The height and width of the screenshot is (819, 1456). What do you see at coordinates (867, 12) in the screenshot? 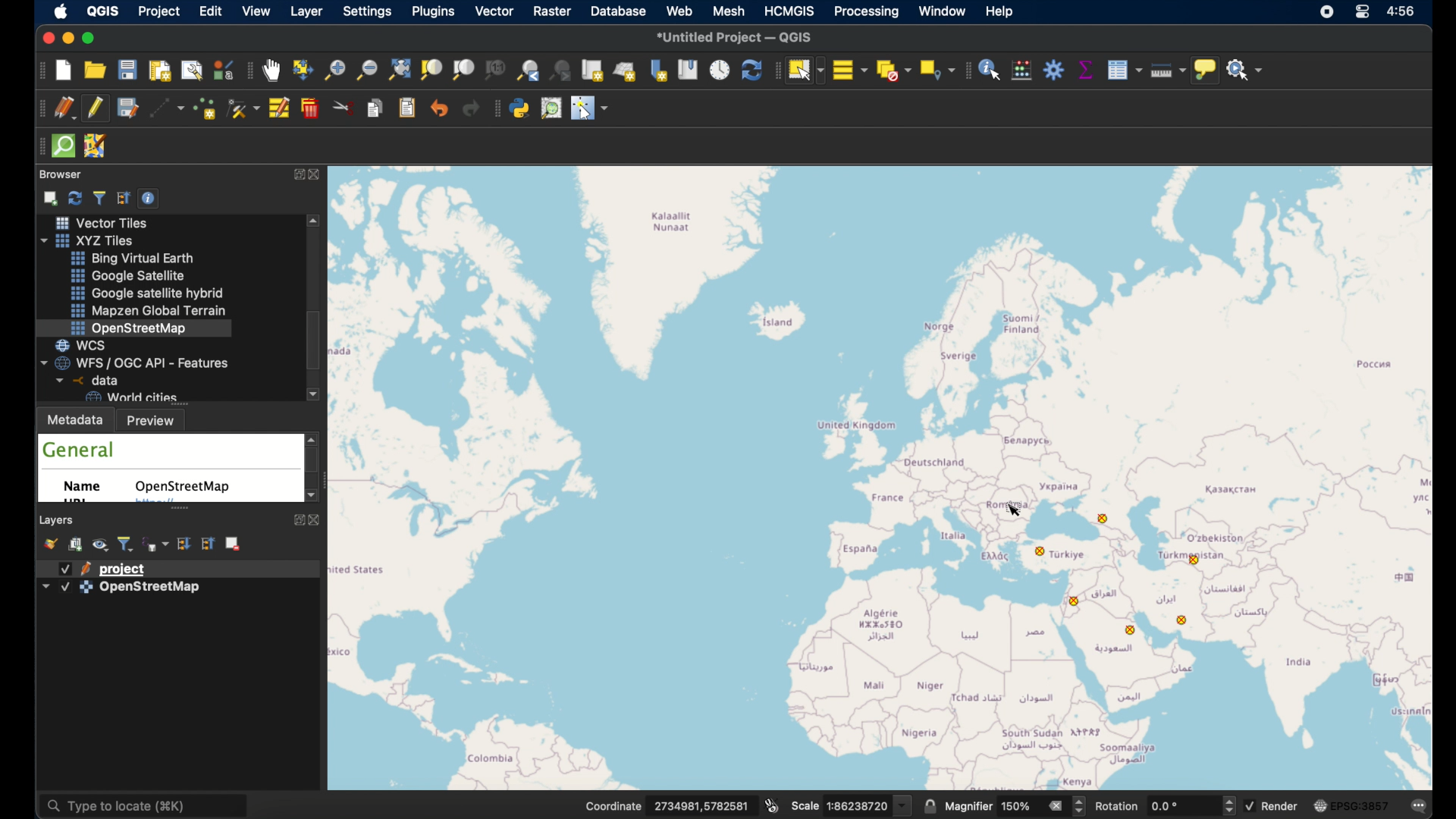
I see `processing` at bounding box center [867, 12].